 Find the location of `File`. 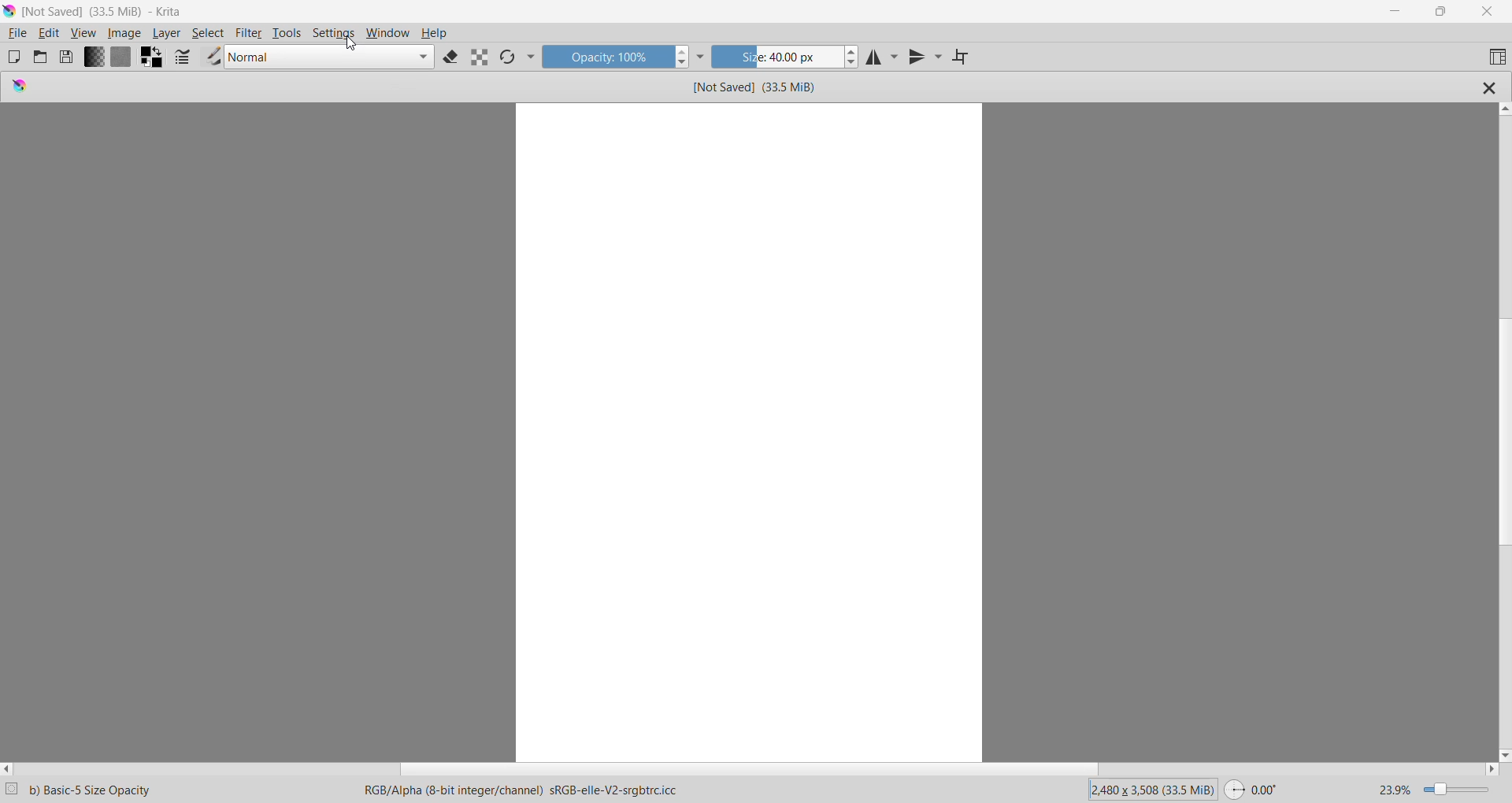

File is located at coordinates (15, 33).